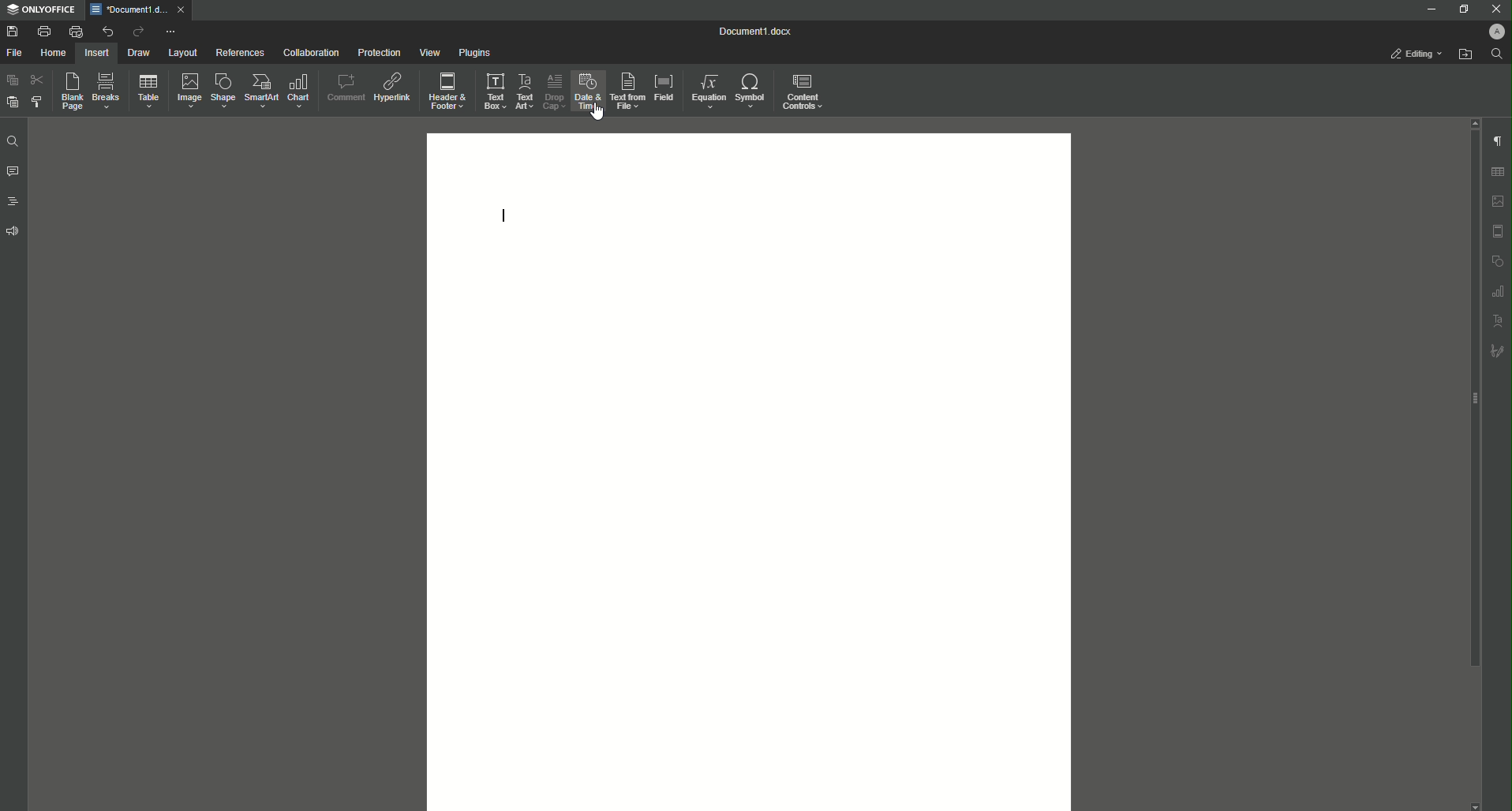 The image size is (1512, 811). Describe the element at coordinates (68, 92) in the screenshot. I see `Blank Page` at that location.